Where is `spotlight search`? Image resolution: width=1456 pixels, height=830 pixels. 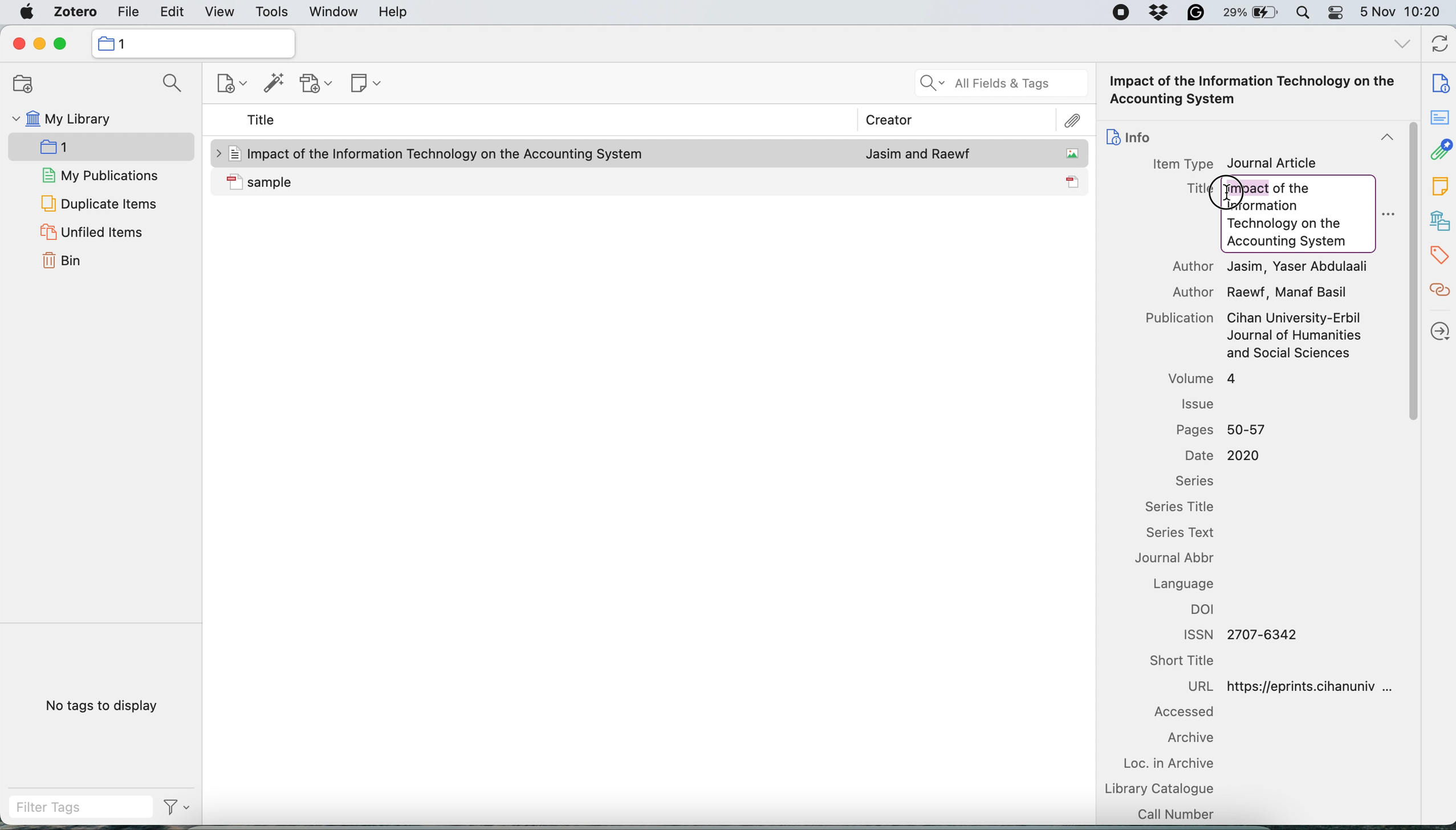 spotlight search is located at coordinates (1306, 14).